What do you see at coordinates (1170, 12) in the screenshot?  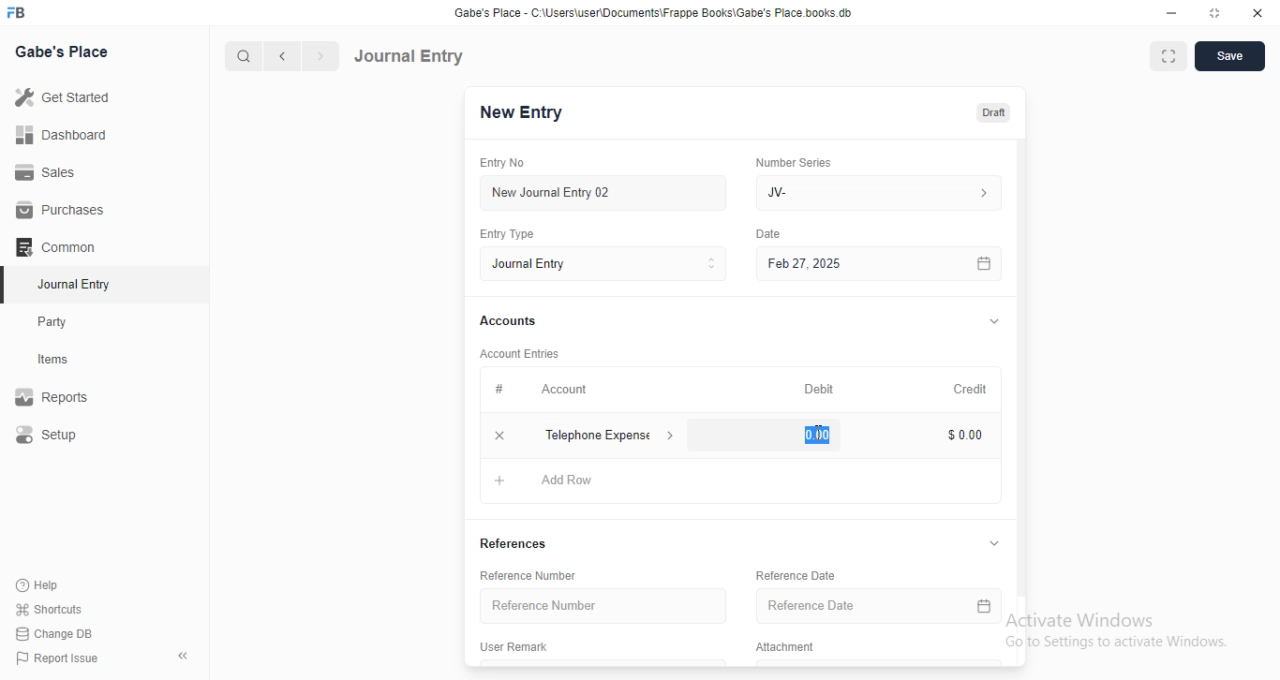 I see `Minimize` at bounding box center [1170, 12].